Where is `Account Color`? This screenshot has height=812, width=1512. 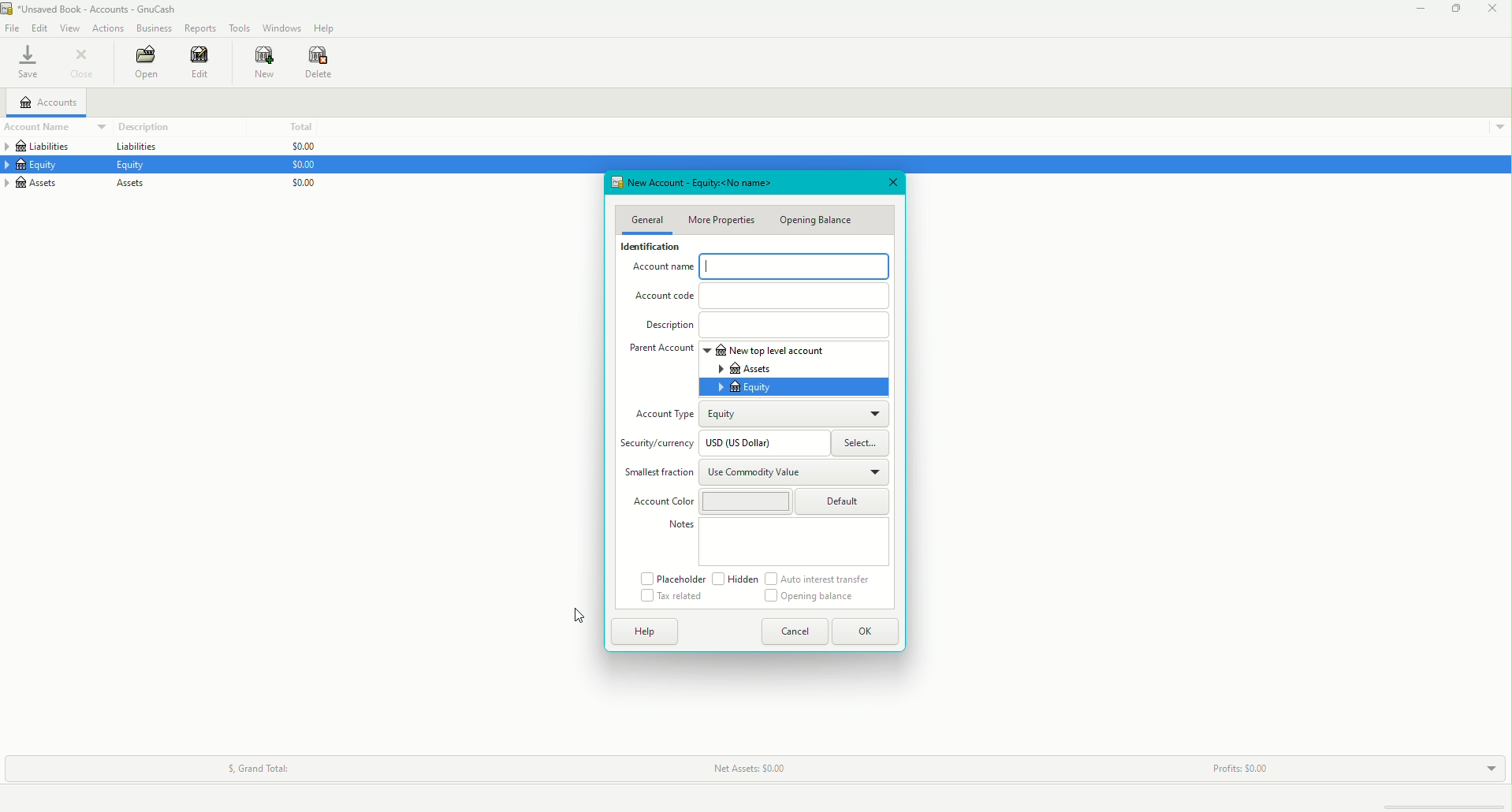
Account Color is located at coordinates (709, 502).